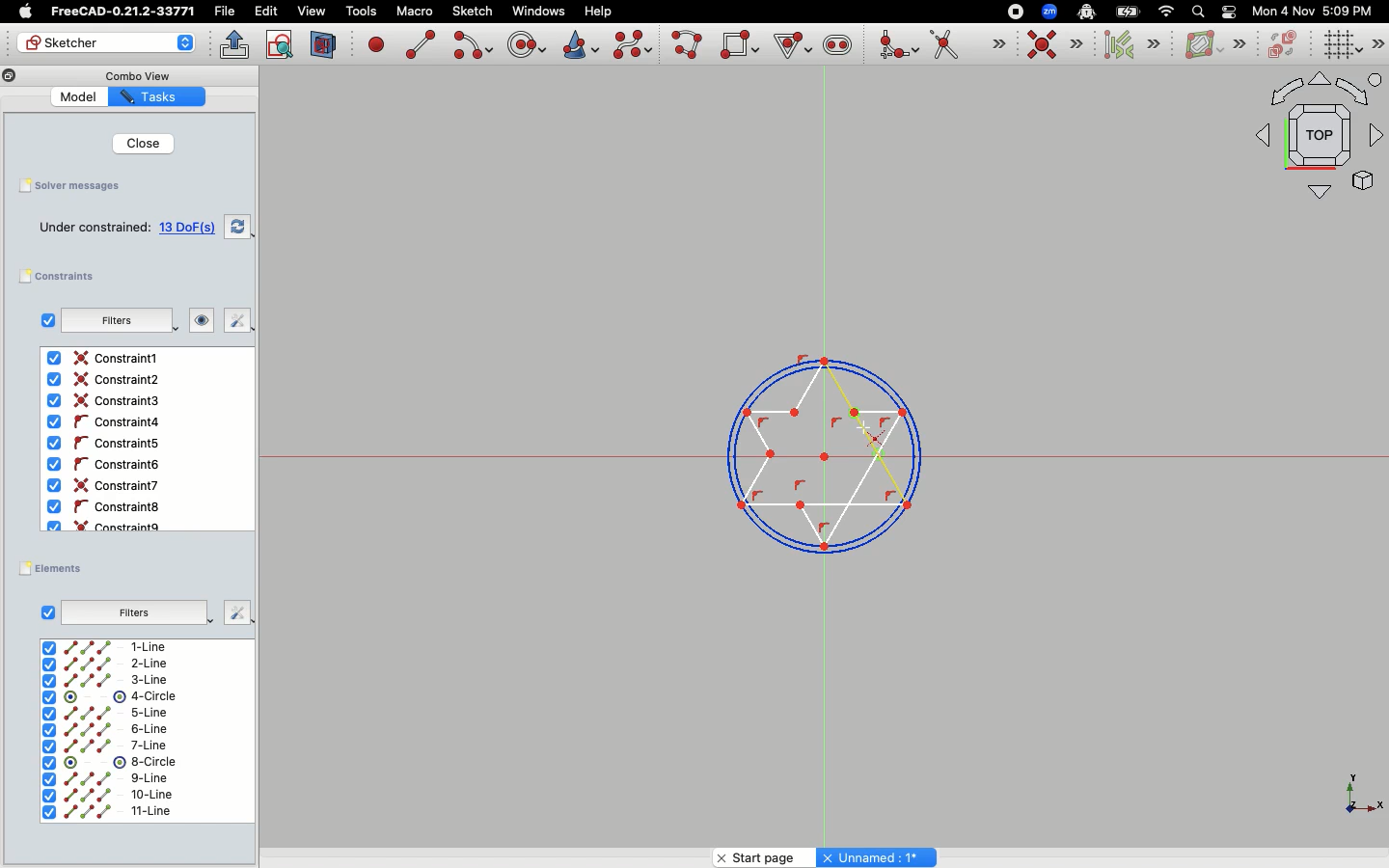 The image size is (1389, 868). Describe the element at coordinates (48, 611) in the screenshot. I see `Checkbox` at that location.